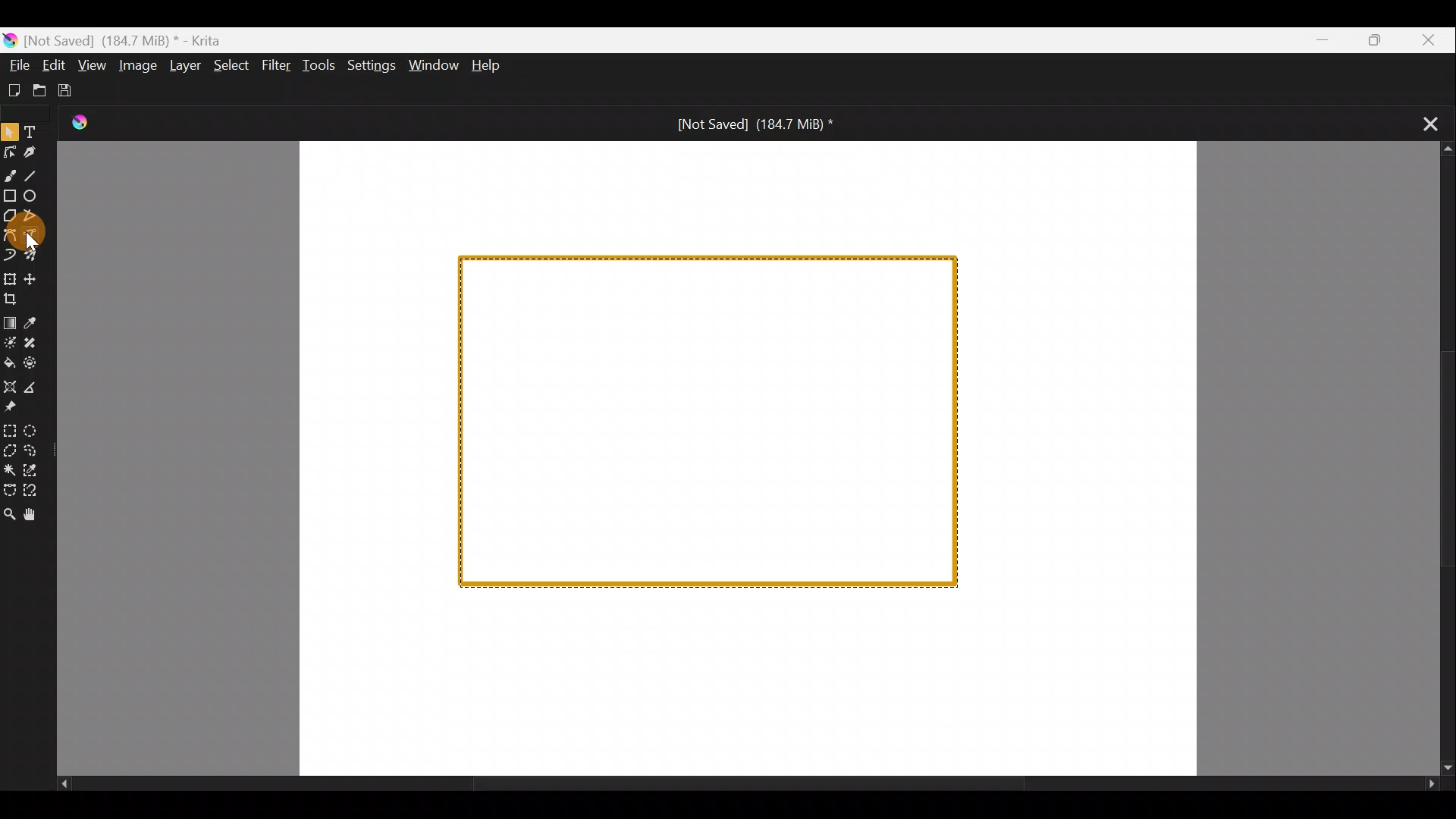 The image size is (1456, 819). Describe the element at coordinates (9, 152) in the screenshot. I see `Edit shapes tool` at that location.